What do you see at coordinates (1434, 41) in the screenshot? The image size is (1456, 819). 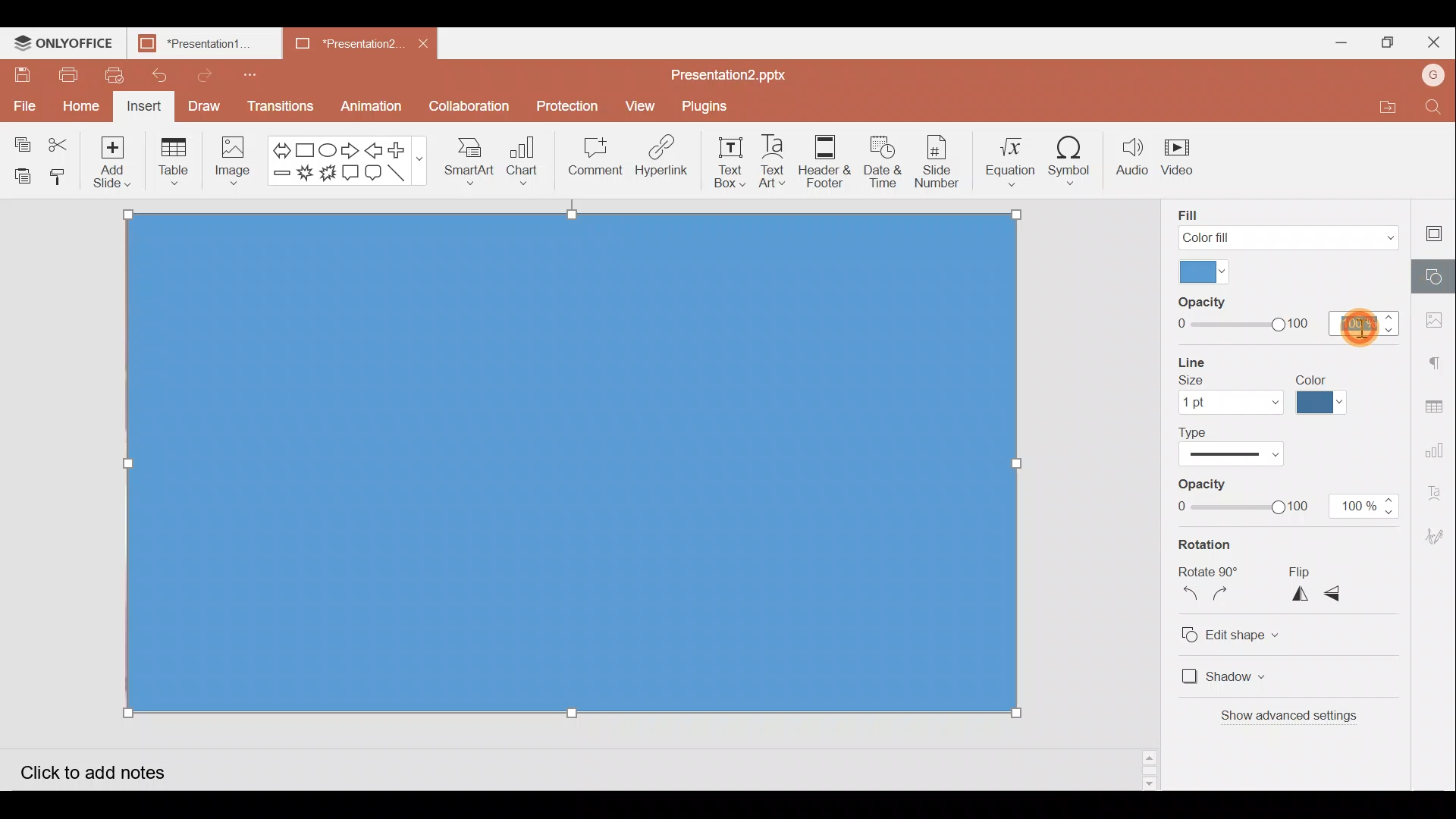 I see `Close` at bounding box center [1434, 41].